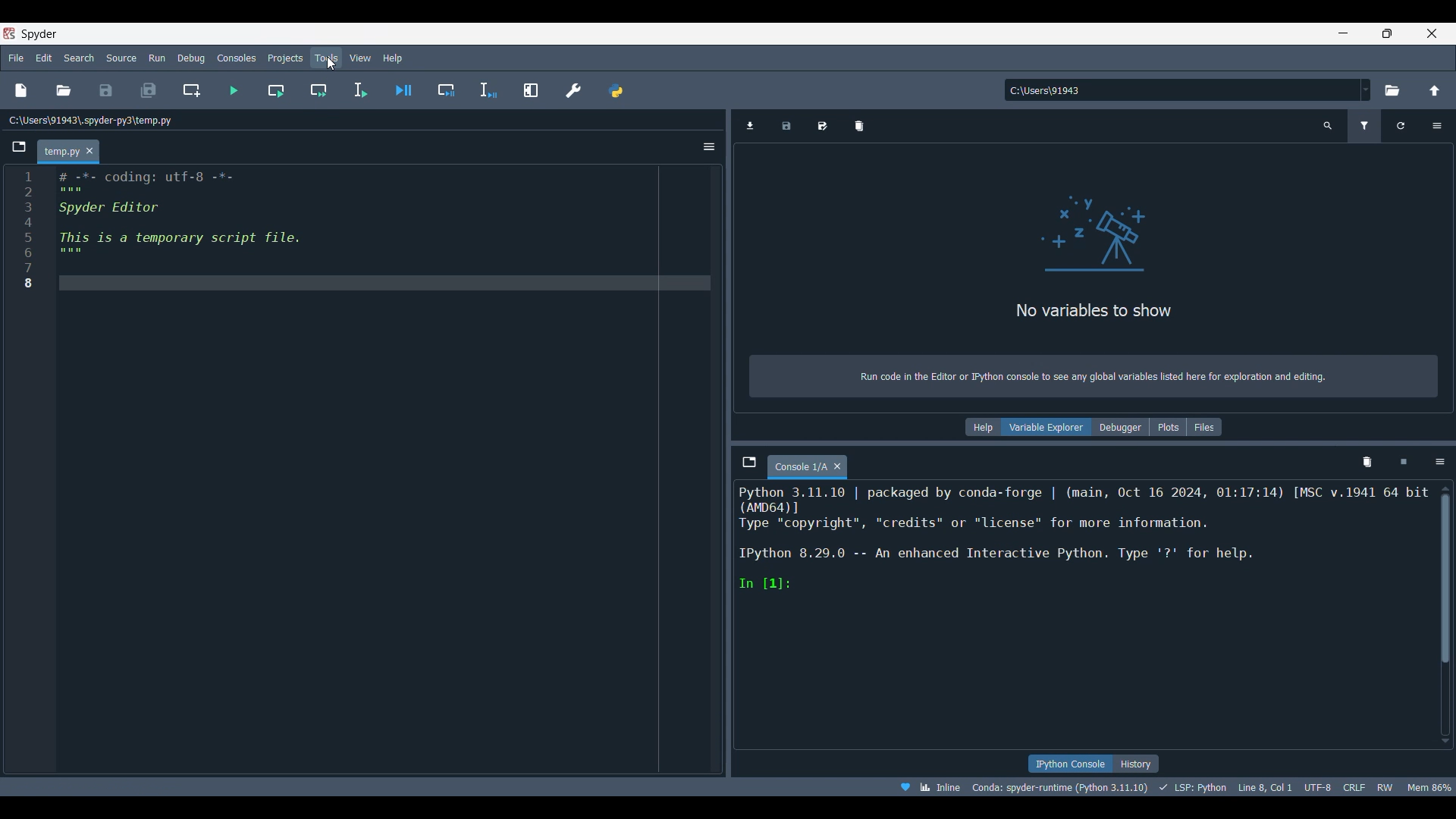 This screenshot has width=1456, height=819. I want to click on Browse a working directory, so click(1391, 90).